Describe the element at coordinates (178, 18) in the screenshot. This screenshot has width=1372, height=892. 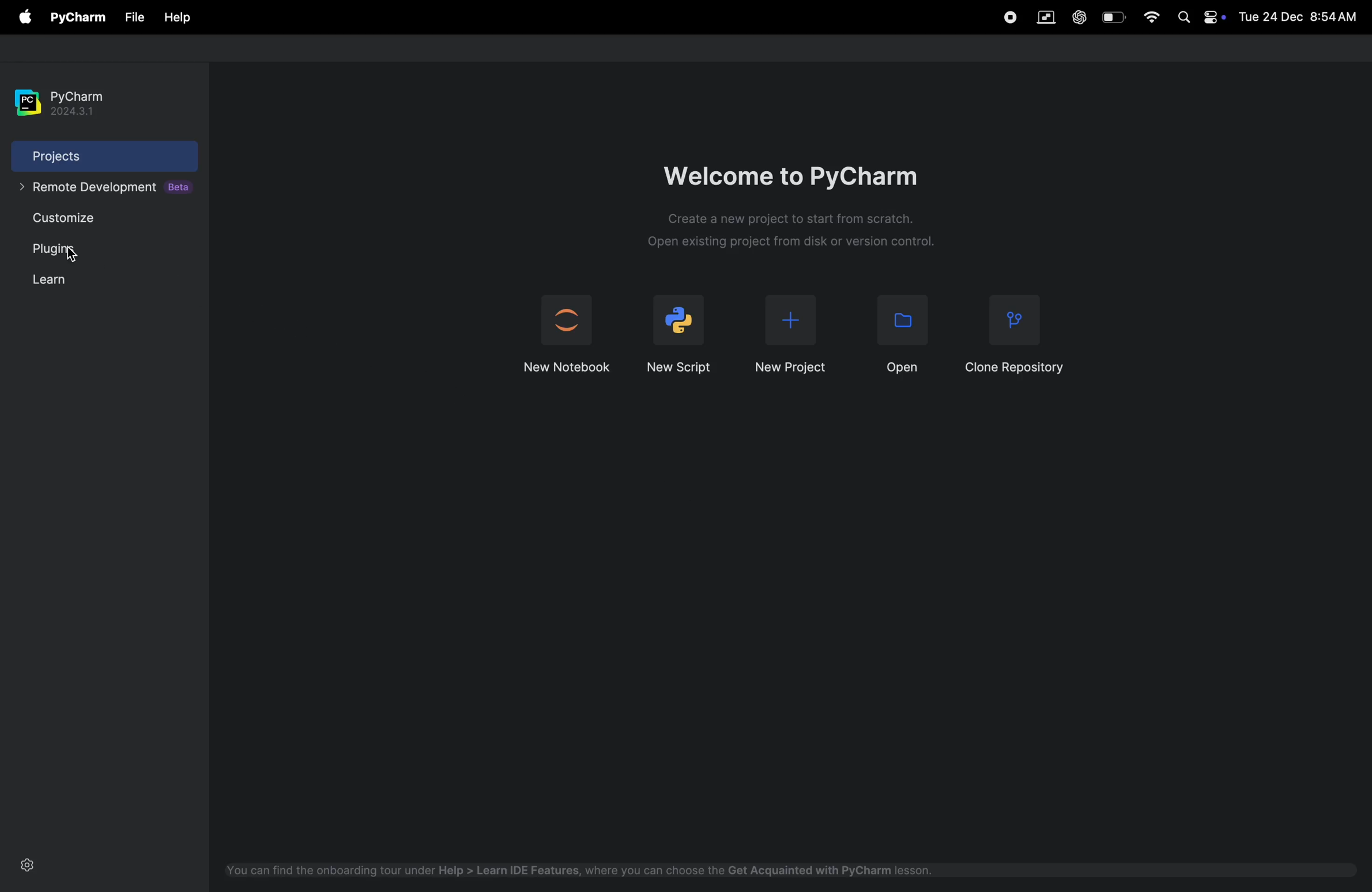
I see `Help` at that location.